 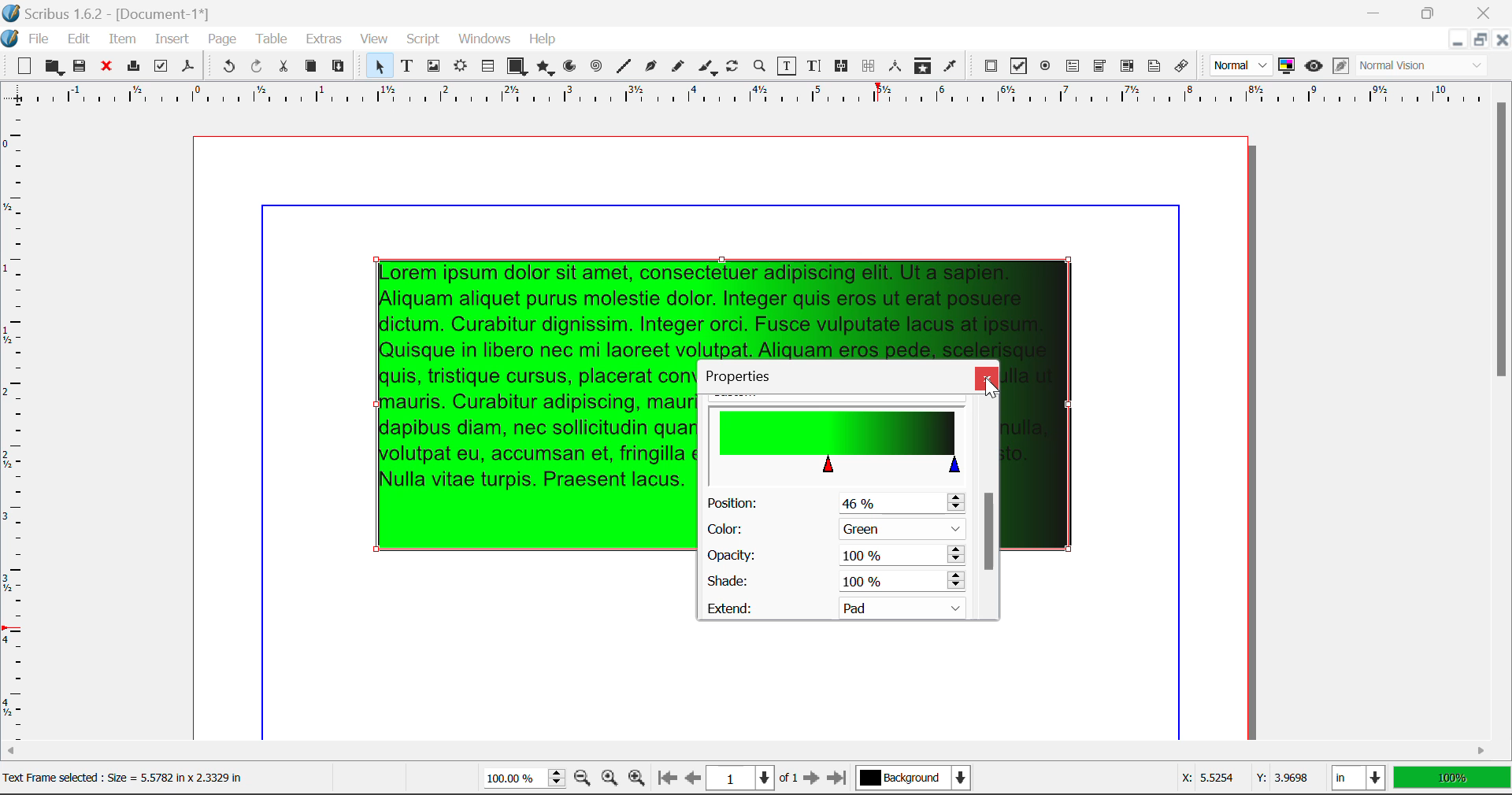 What do you see at coordinates (1157, 67) in the screenshot?
I see `Text Annotation` at bounding box center [1157, 67].